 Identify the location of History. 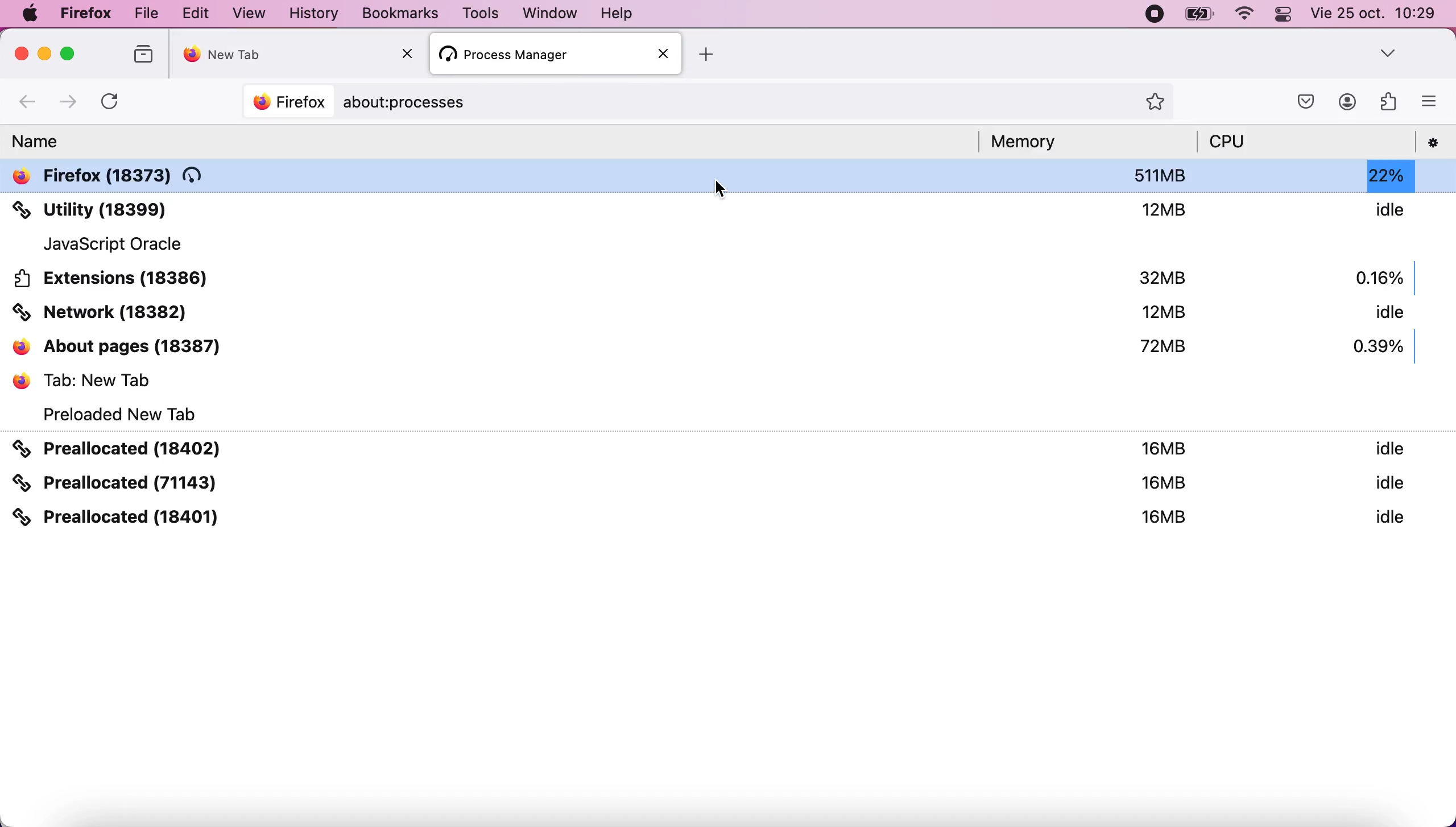
(315, 13).